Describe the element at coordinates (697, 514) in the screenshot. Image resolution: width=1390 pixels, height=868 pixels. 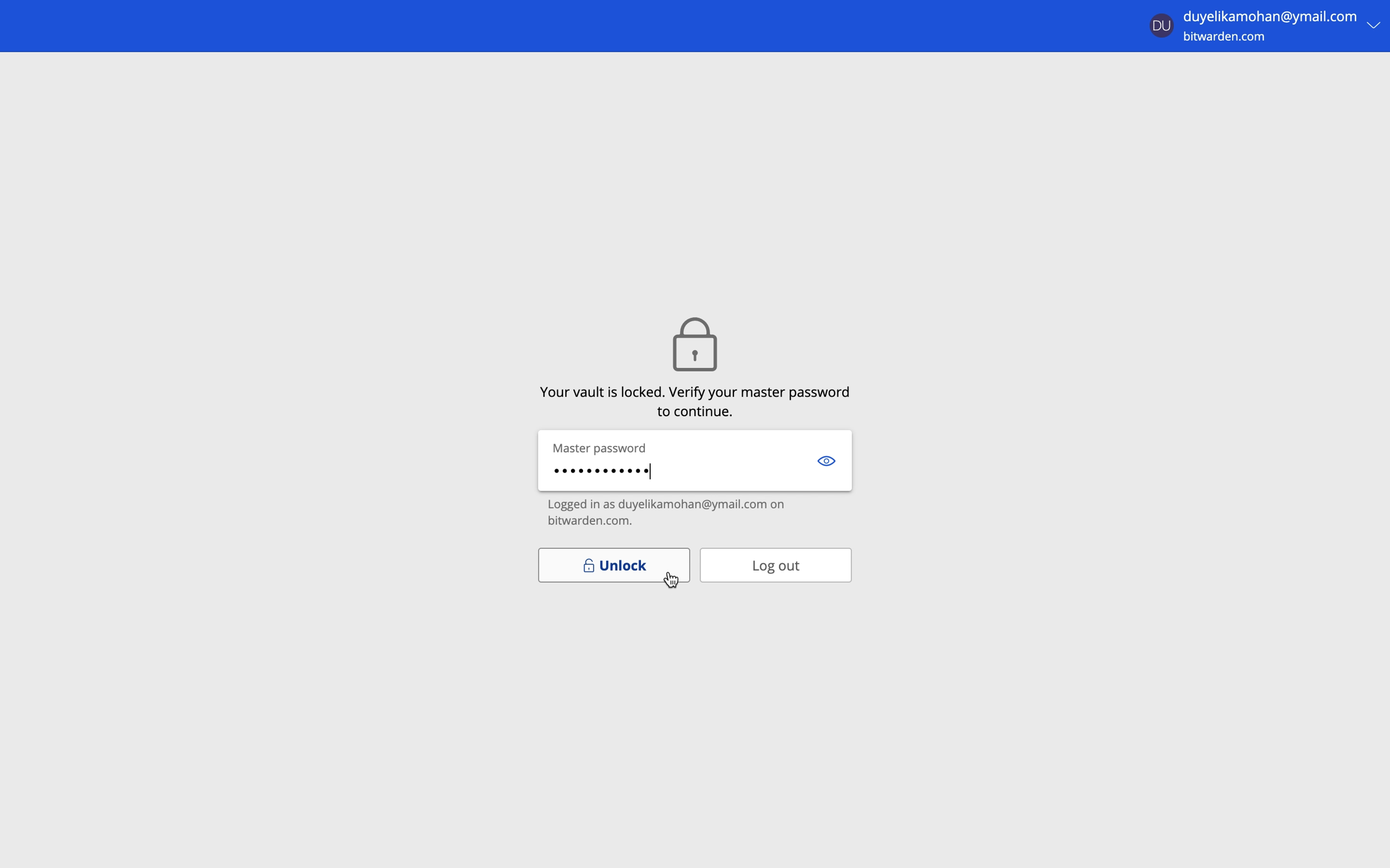
I see `logged in as` at that location.